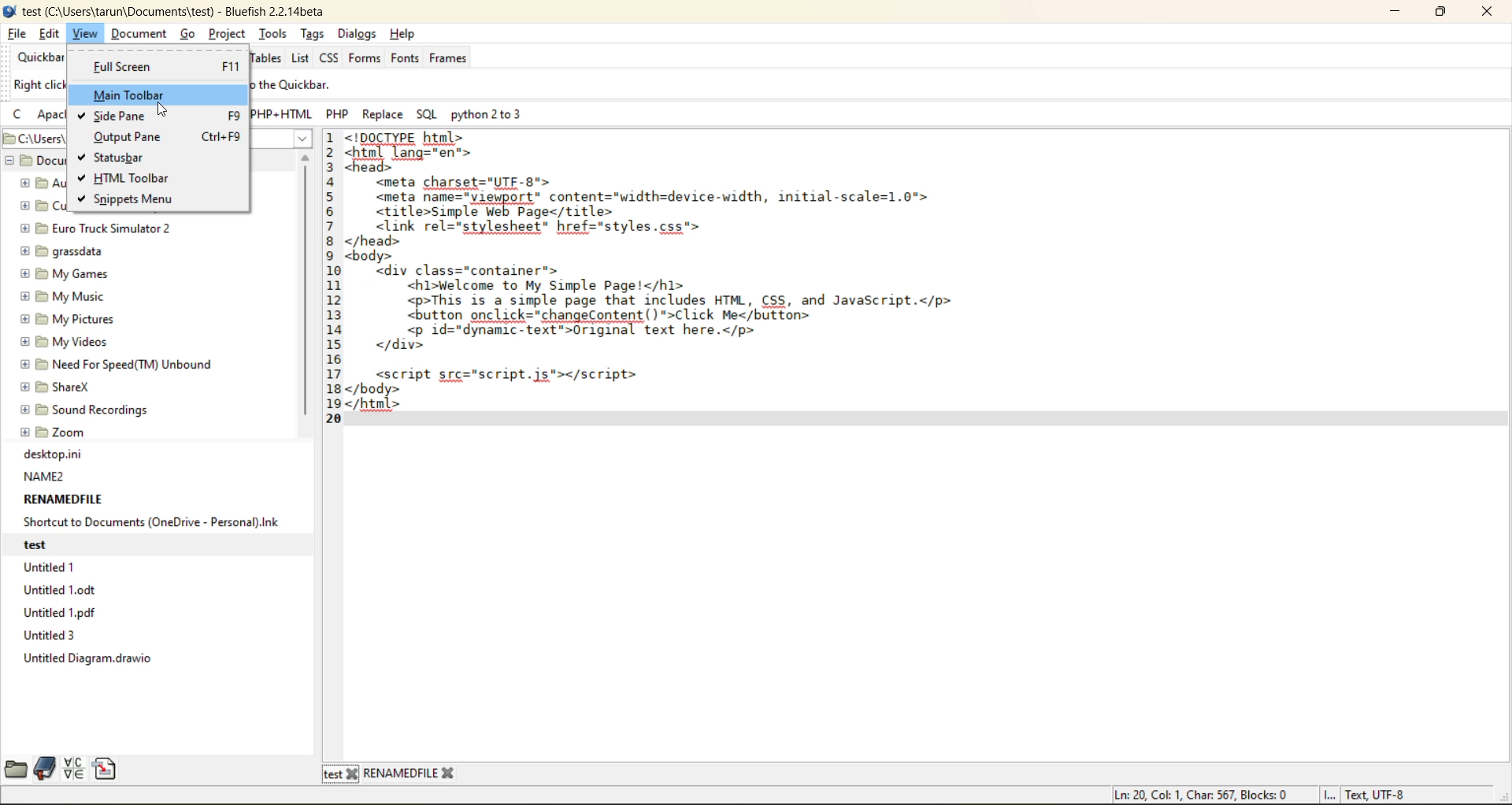  I want to click on fullscreen, so click(121, 65).